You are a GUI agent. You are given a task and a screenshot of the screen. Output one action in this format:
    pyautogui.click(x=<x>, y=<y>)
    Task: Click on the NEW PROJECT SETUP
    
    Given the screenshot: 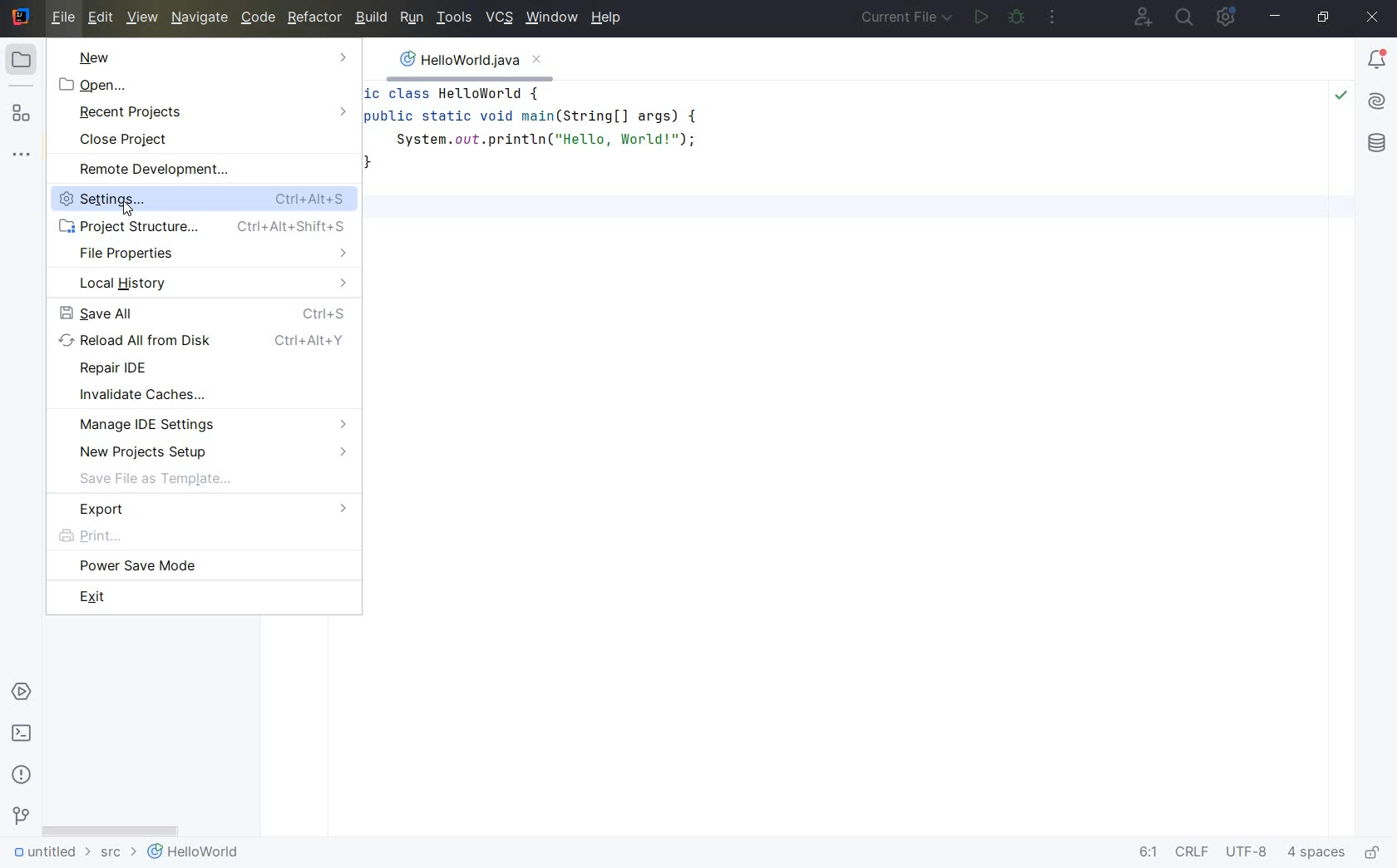 What is the action you would take?
    pyautogui.click(x=210, y=452)
    